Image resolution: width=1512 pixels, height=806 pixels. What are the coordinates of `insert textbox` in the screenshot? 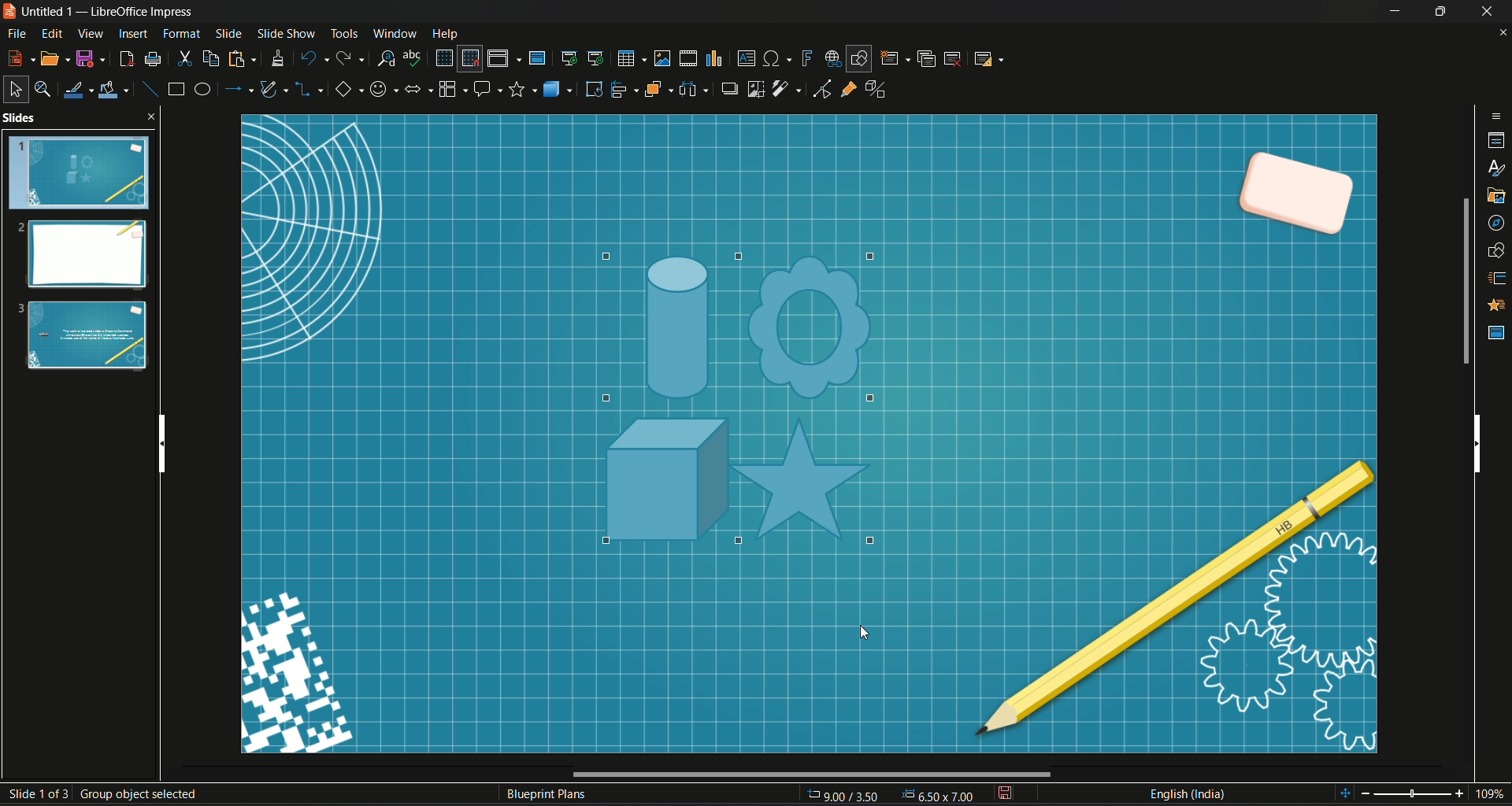 It's located at (745, 57).